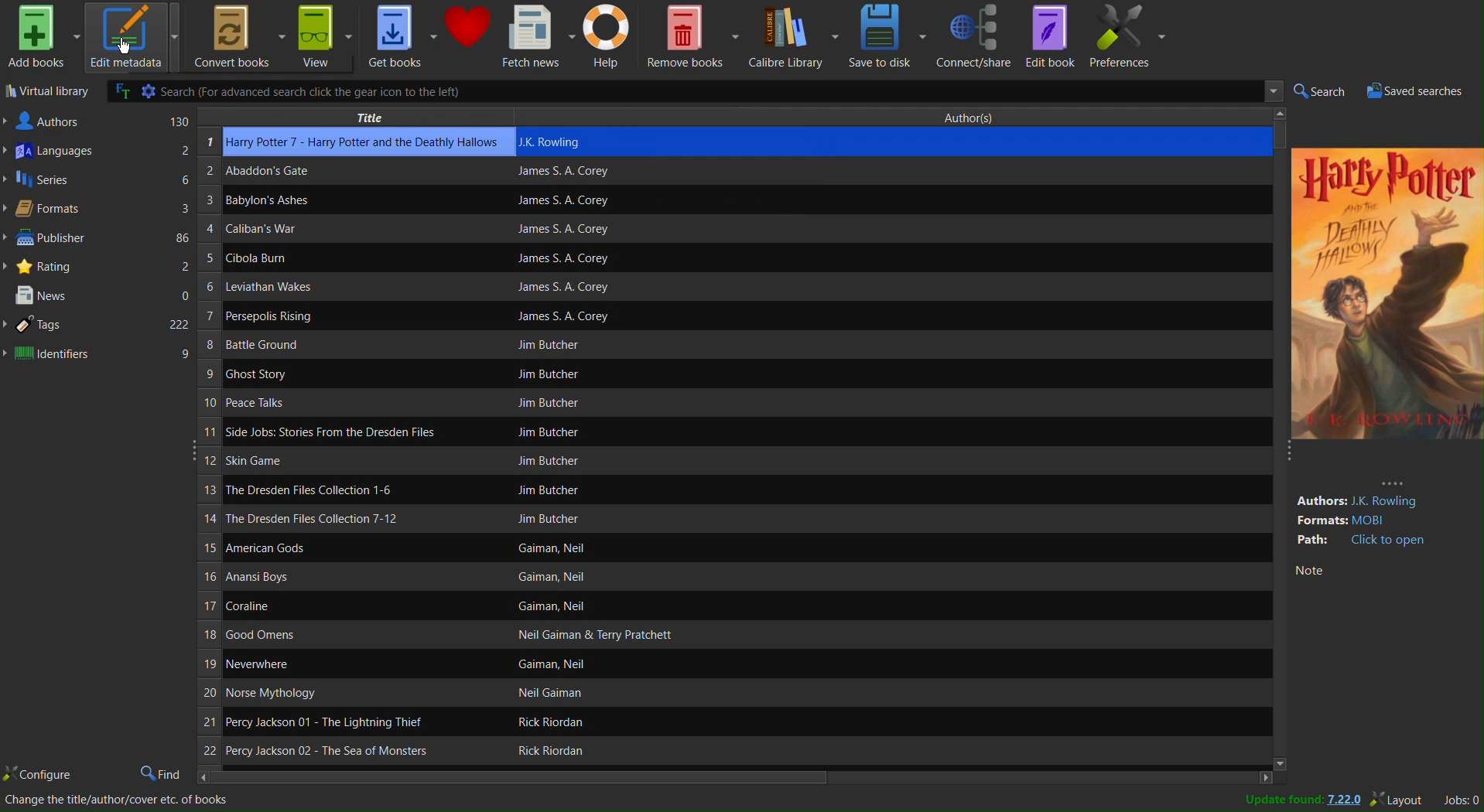  Describe the element at coordinates (340, 462) in the screenshot. I see `Book name` at that location.